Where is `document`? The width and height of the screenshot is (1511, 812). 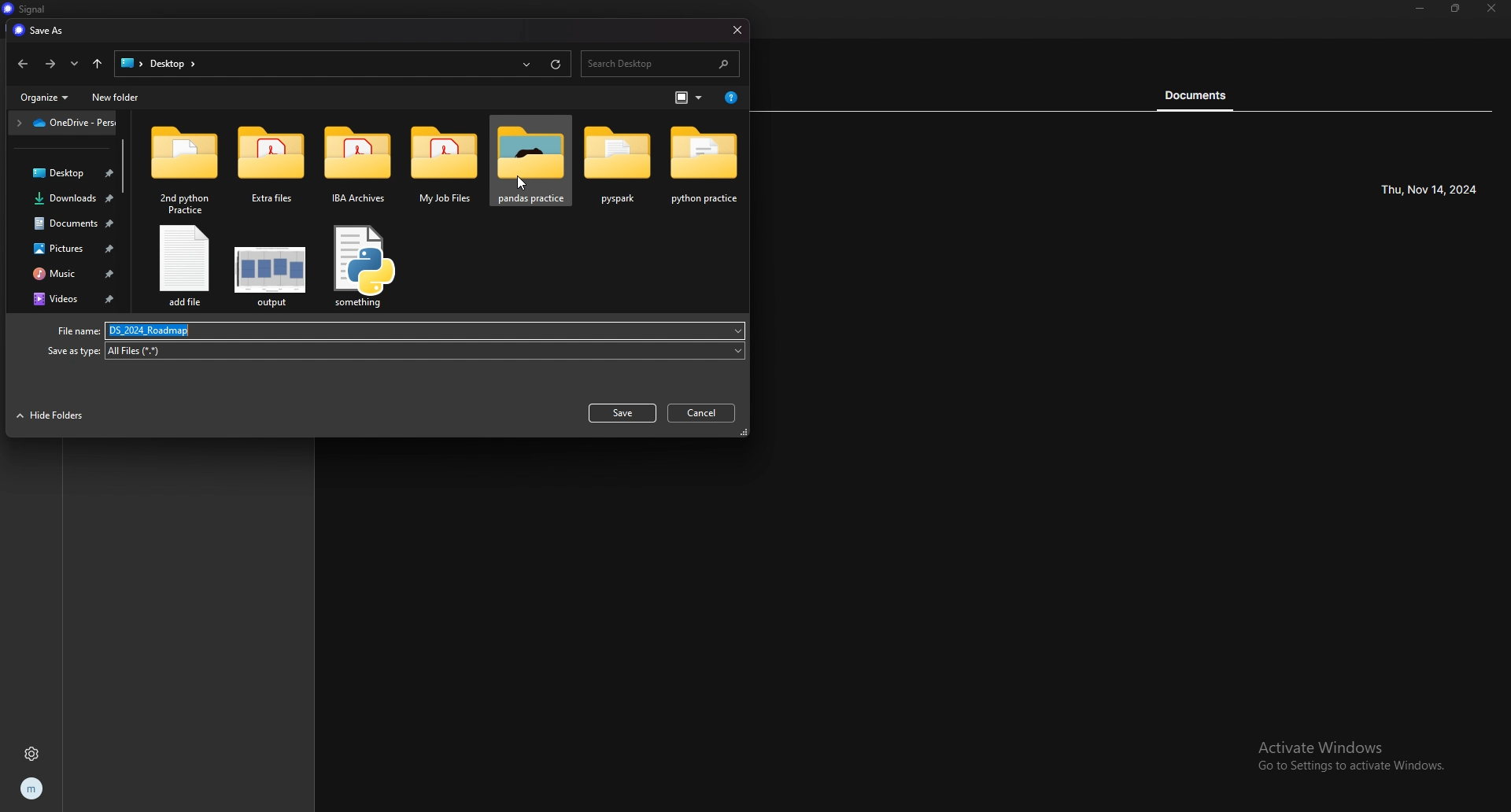
document is located at coordinates (72, 223).